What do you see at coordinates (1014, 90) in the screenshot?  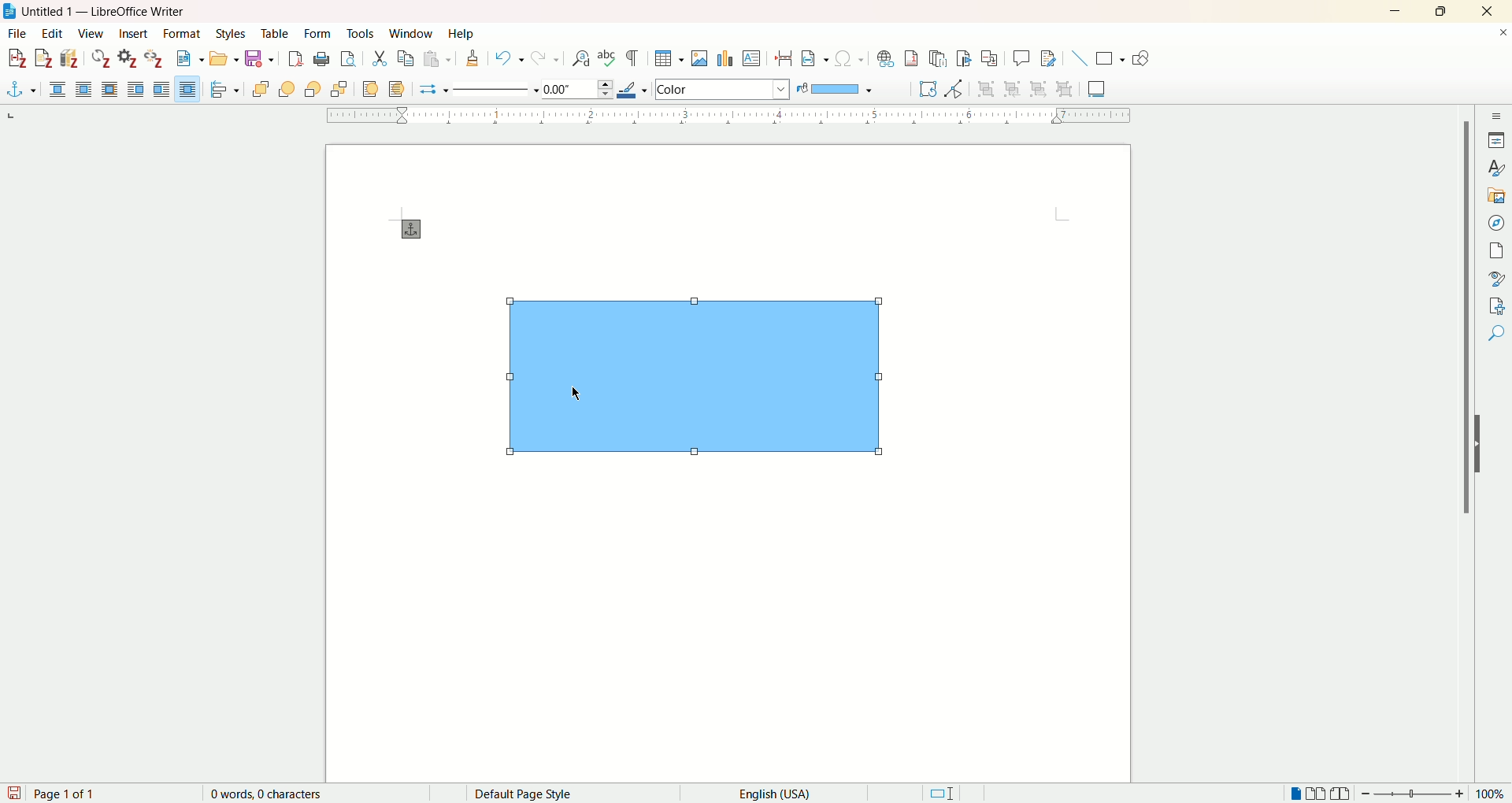 I see `enter group` at bounding box center [1014, 90].